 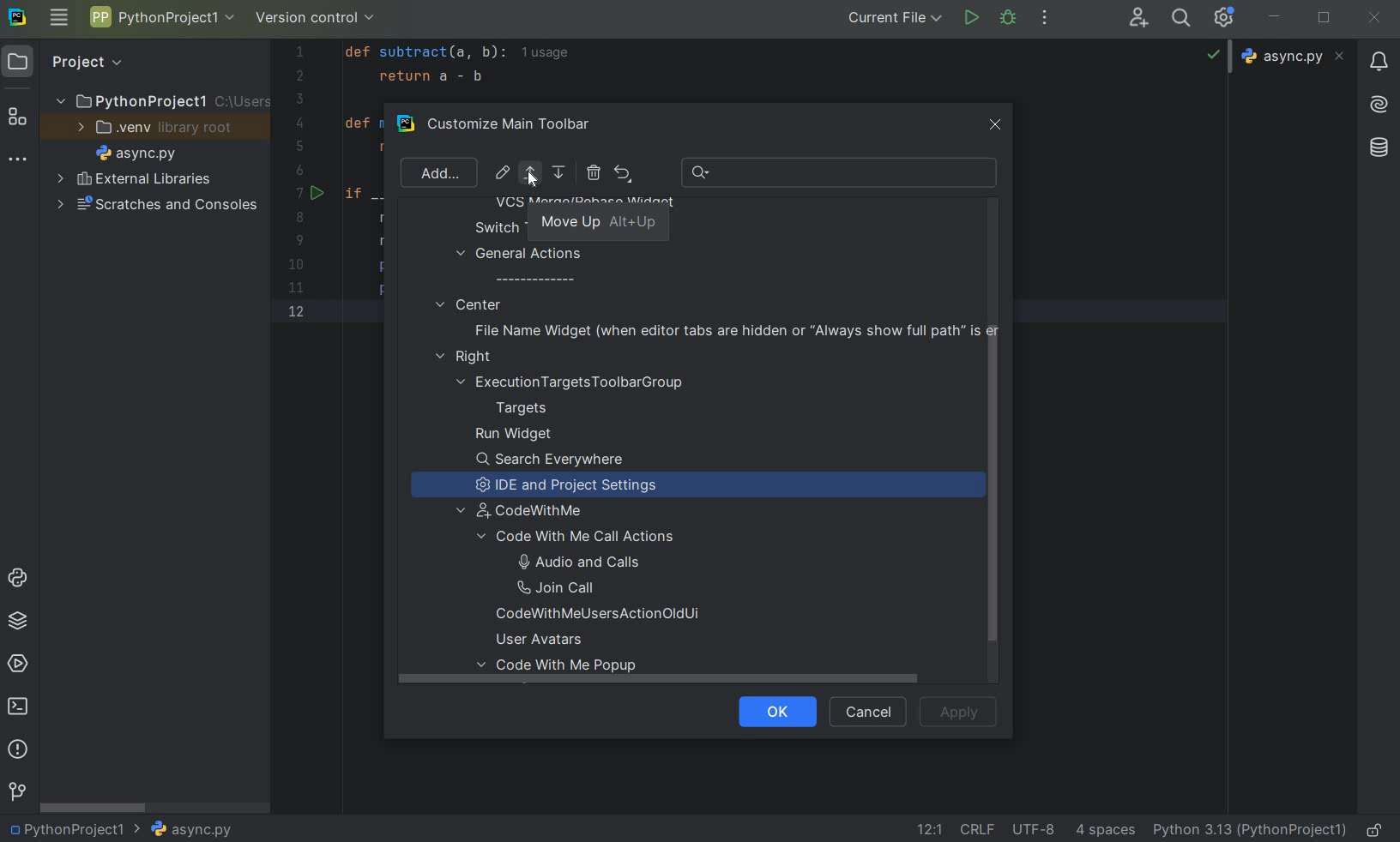 I want to click on CLOSE, so click(x=1373, y=19).